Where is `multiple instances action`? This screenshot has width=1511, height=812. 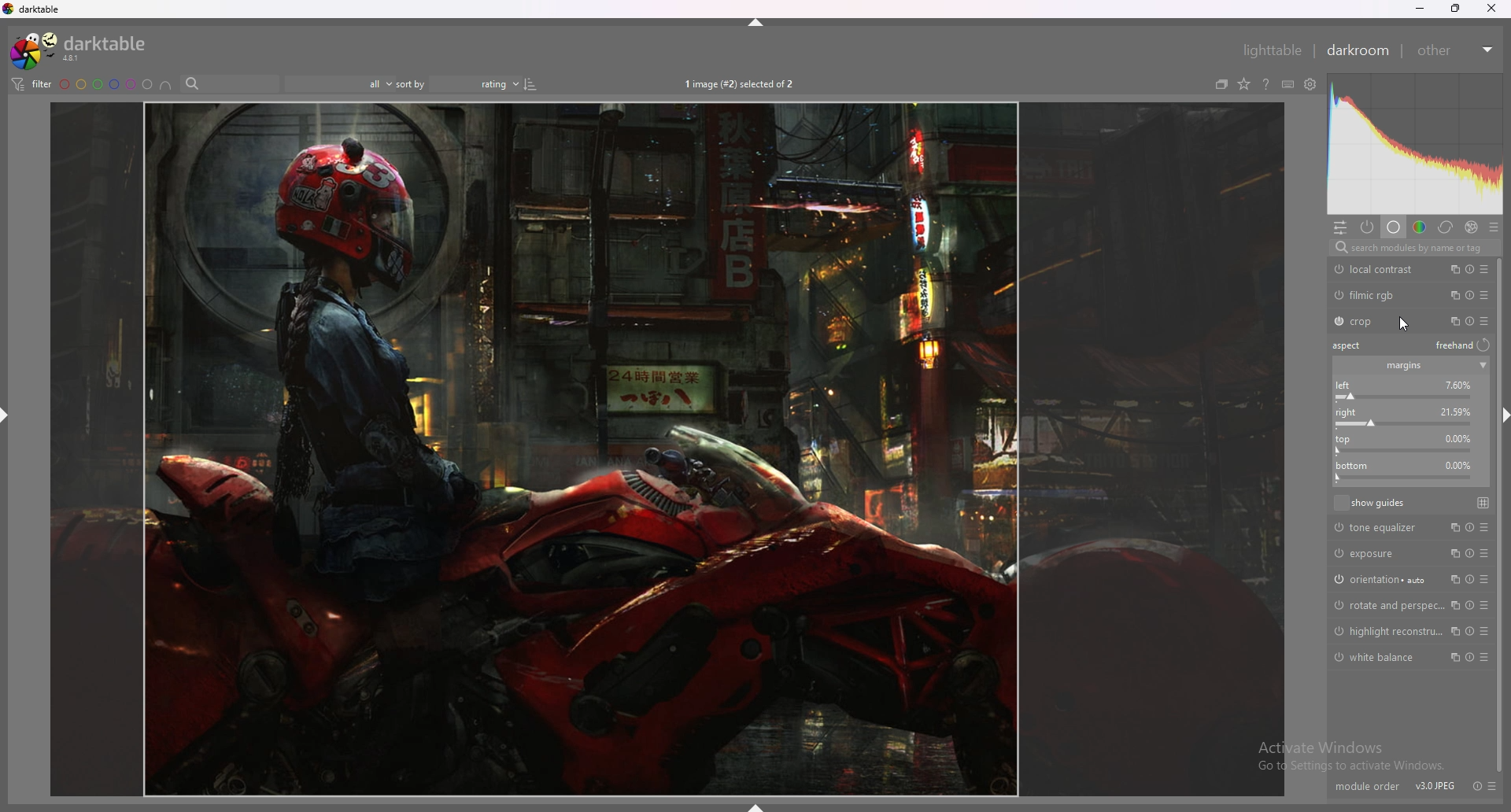 multiple instances action is located at coordinates (1451, 526).